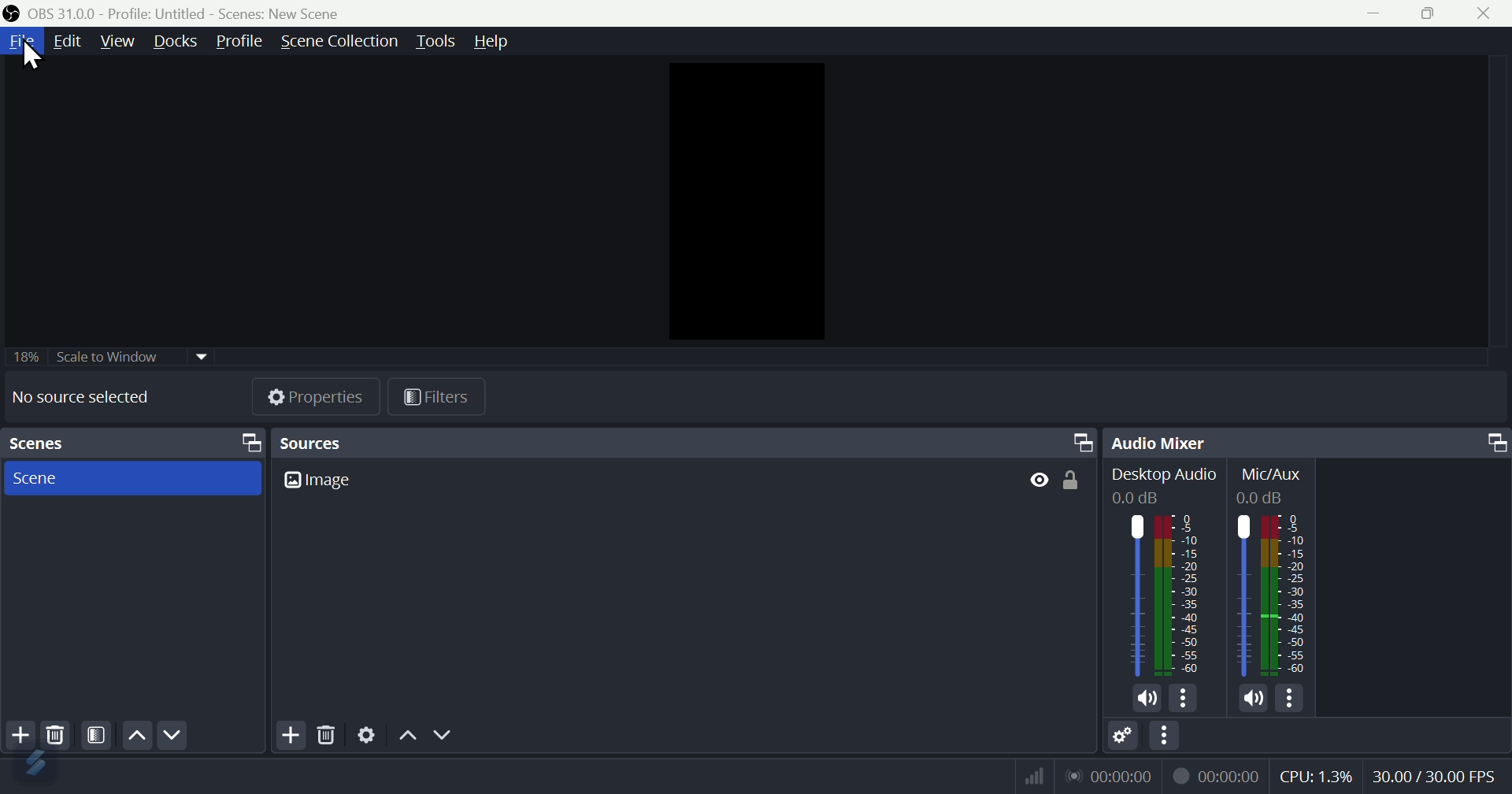  I want to click on Mic/Aux, so click(1269, 481).